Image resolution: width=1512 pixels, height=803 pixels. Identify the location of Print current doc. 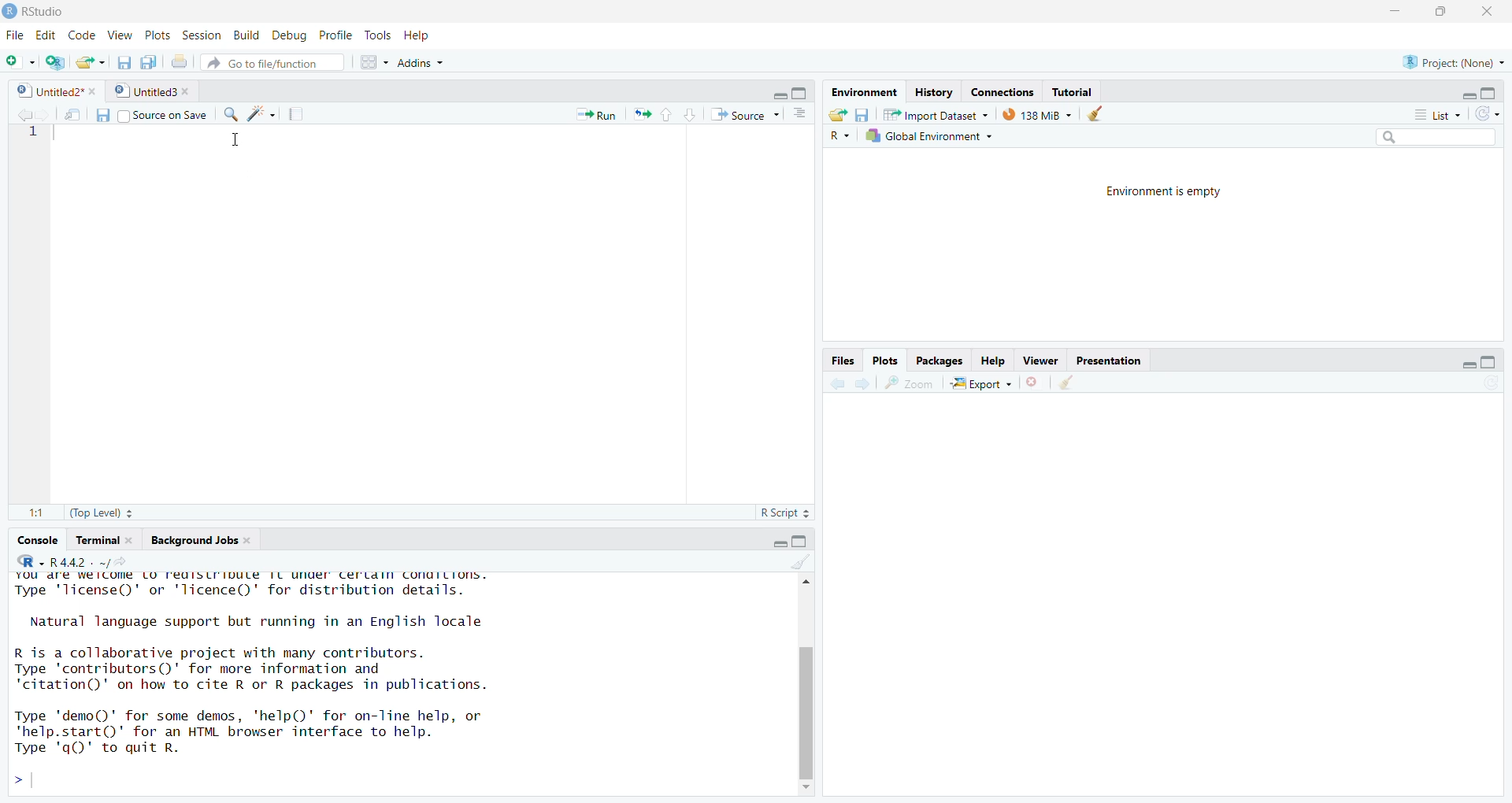
(182, 63).